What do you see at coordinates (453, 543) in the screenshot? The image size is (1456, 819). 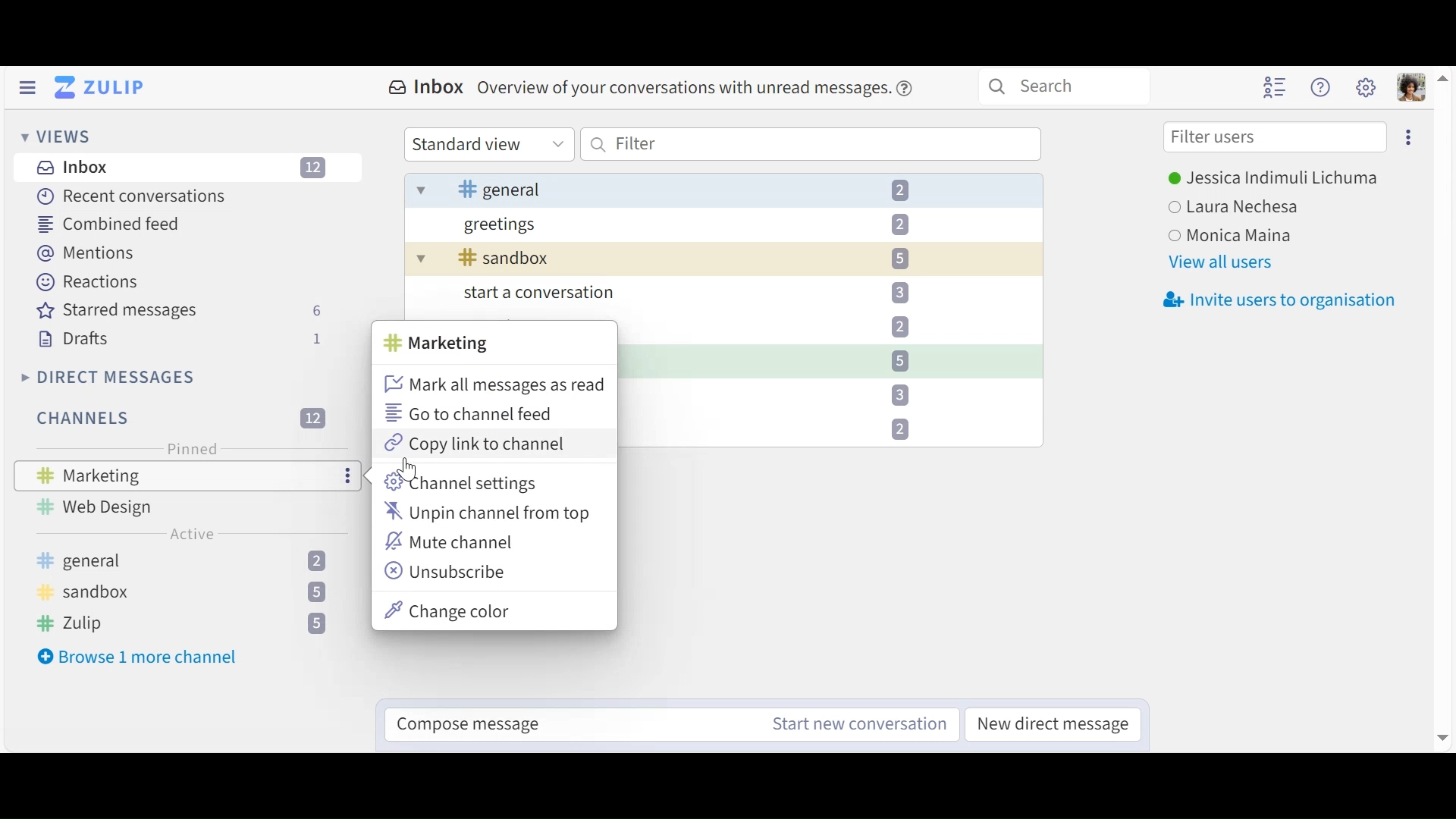 I see `Mute channel` at bounding box center [453, 543].